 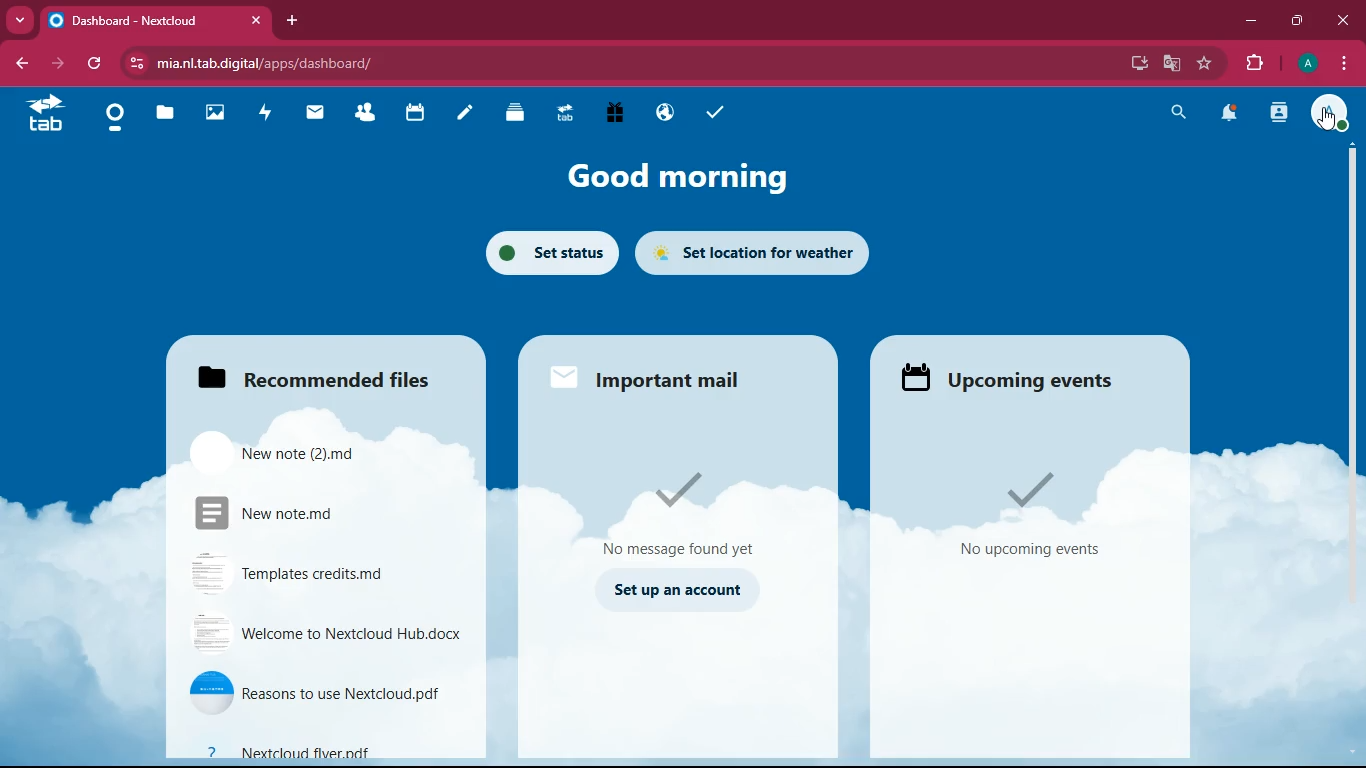 What do you see at coordinates (1013, 374) in the screenshot?
I see `events` at bounding box center [1013, 374].